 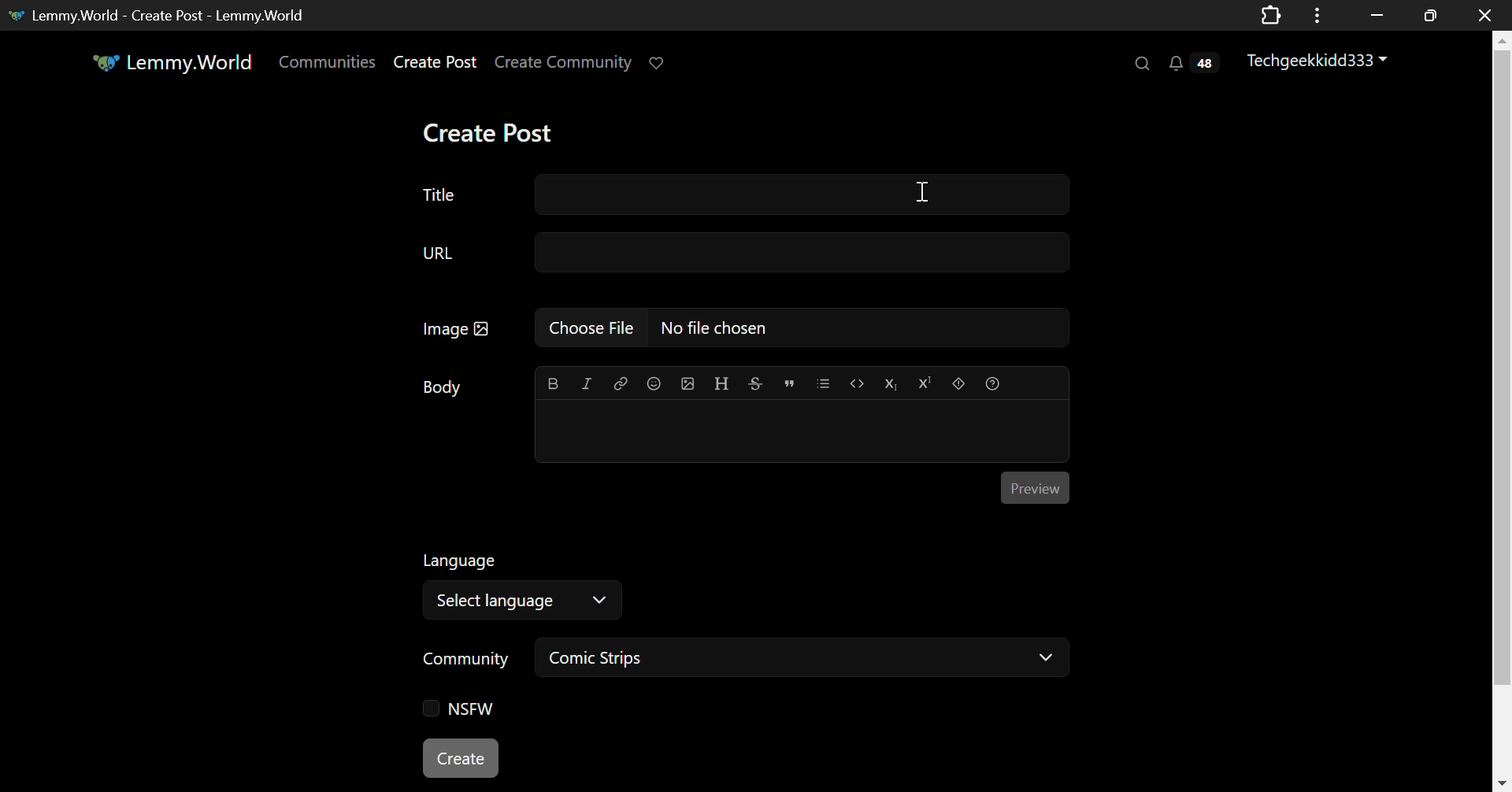 What do you see at coordinates (746, 330) in the screenshot?
I see `Image: No File Chosen` at bounding box center [746, 330].